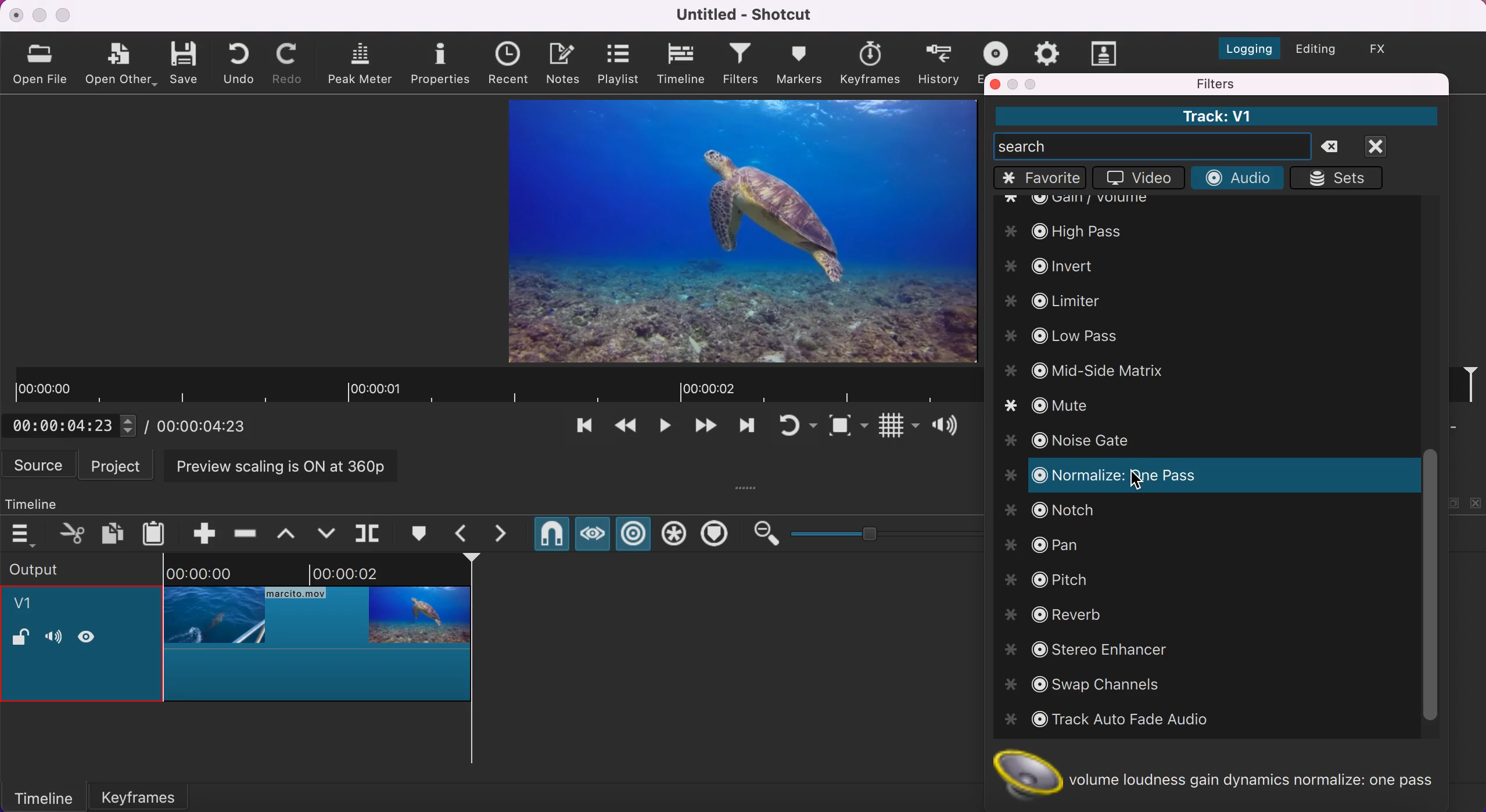 The image size is (1486, 812). I want to click on notch, so click(1057, 511).